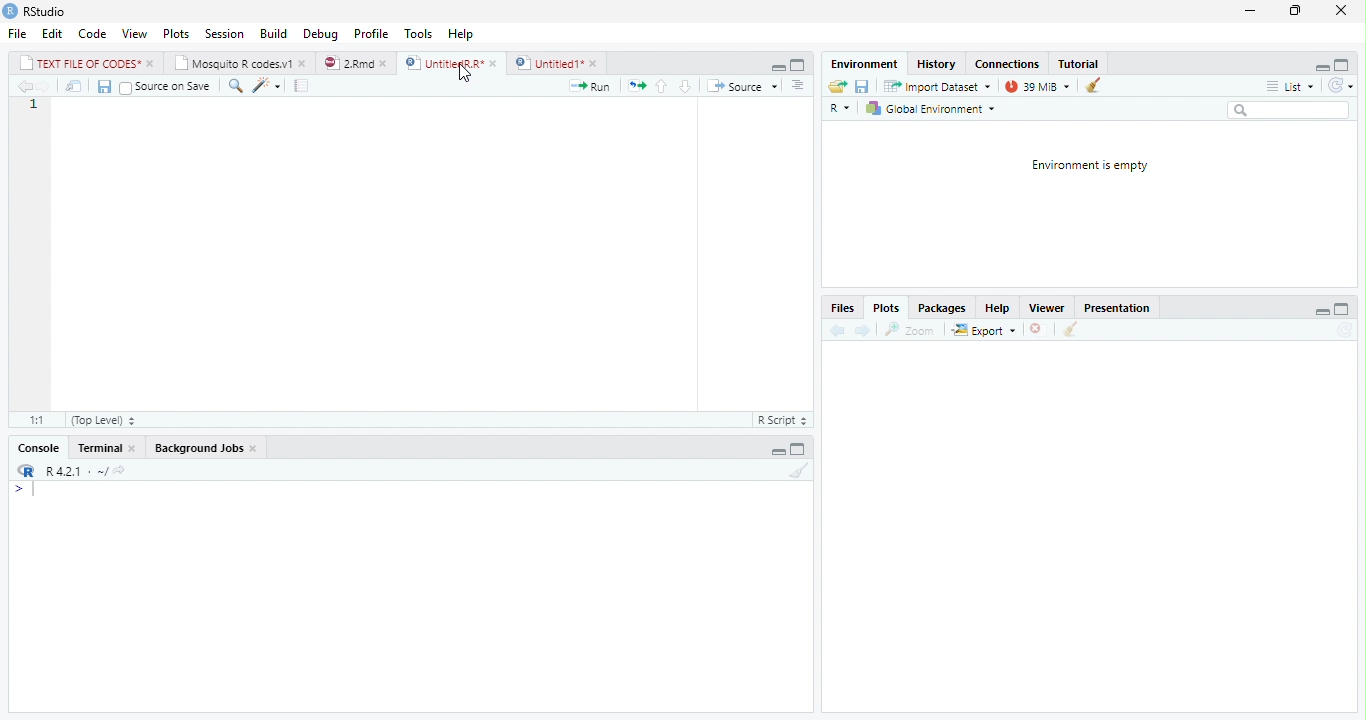 The image size is (1366, 720). I want to click on Next, so click(49, 86).